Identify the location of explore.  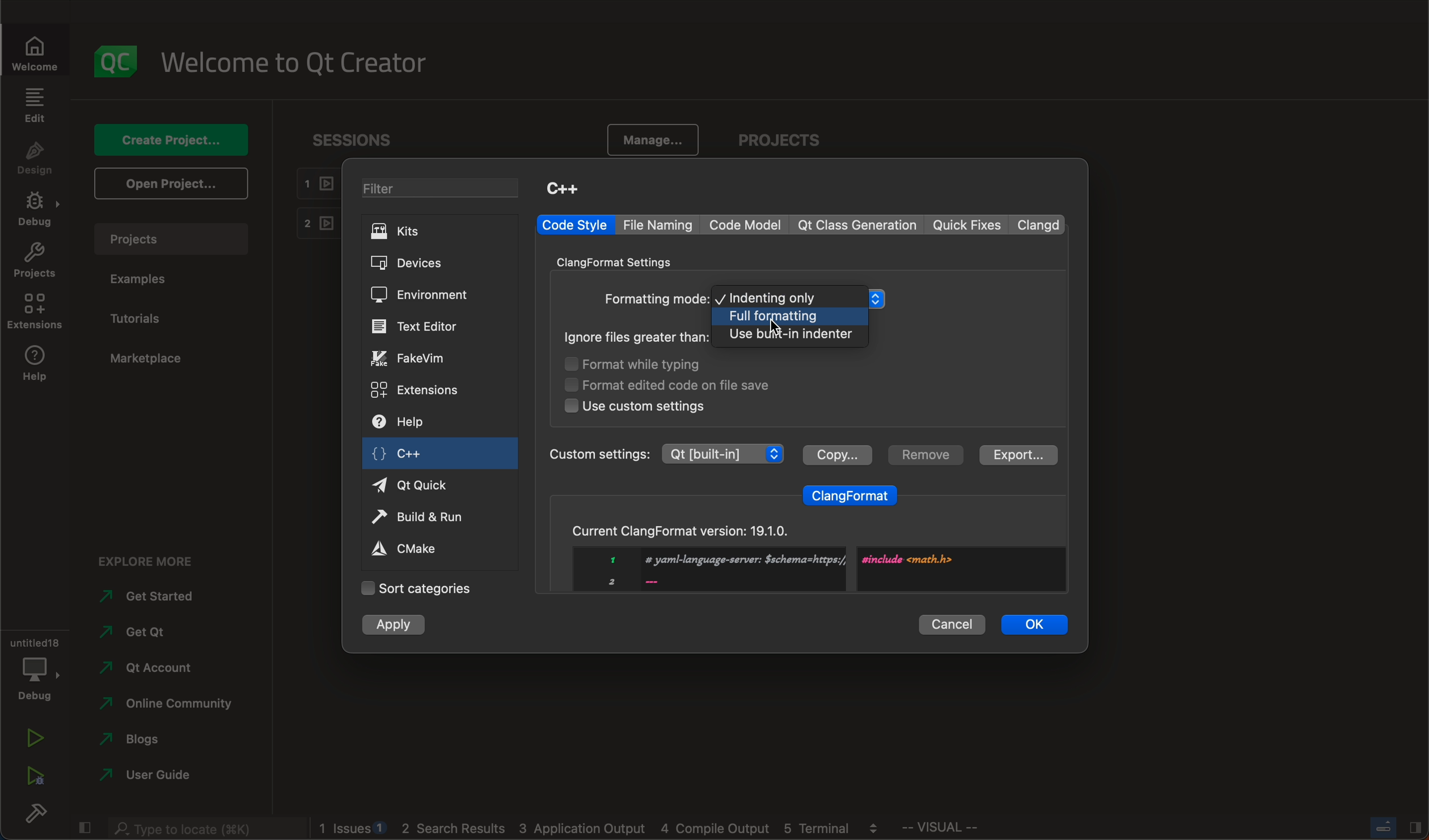
(155, 558).